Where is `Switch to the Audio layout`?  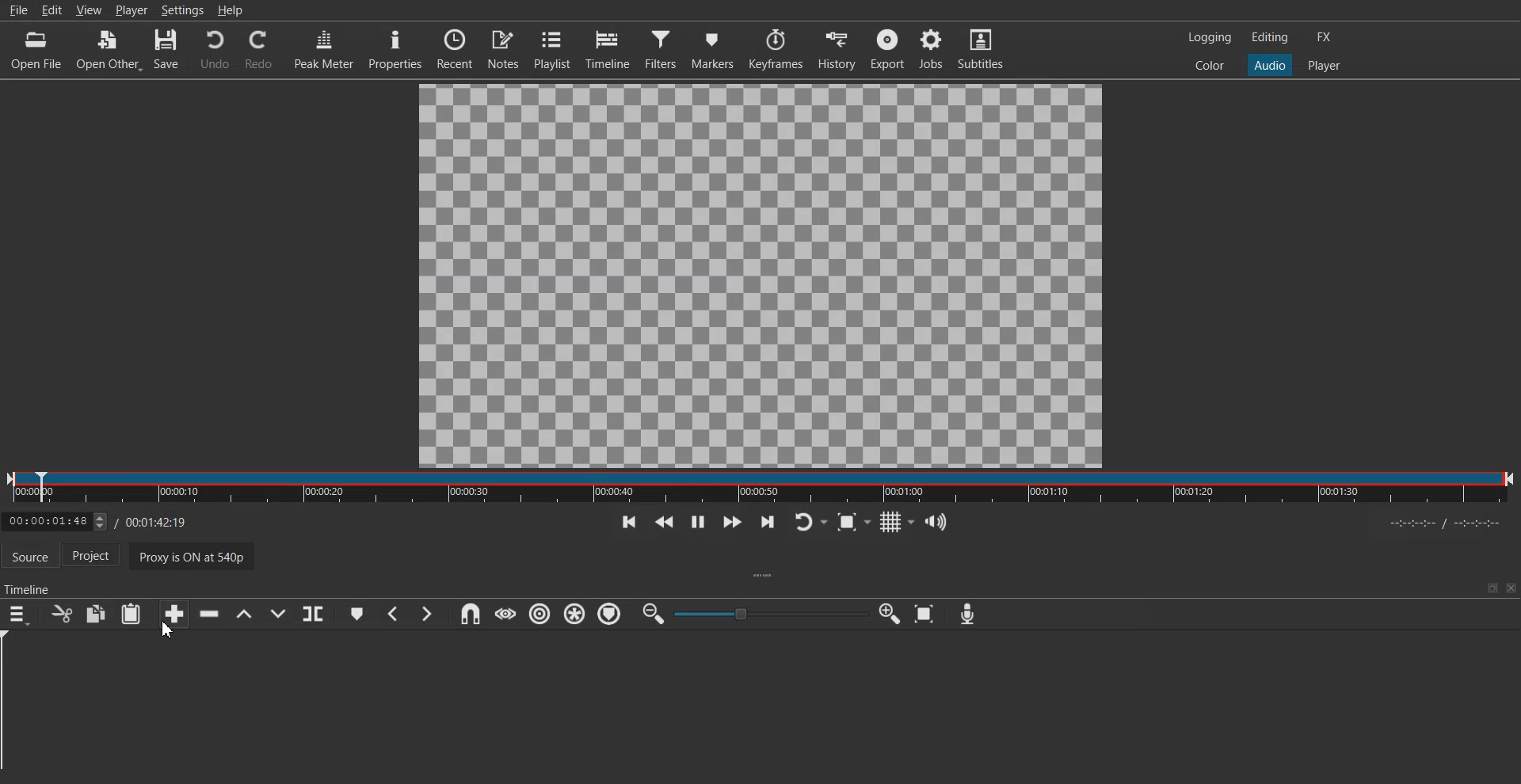 Switch to the Audio layout is located at coordinates (1271, 64).